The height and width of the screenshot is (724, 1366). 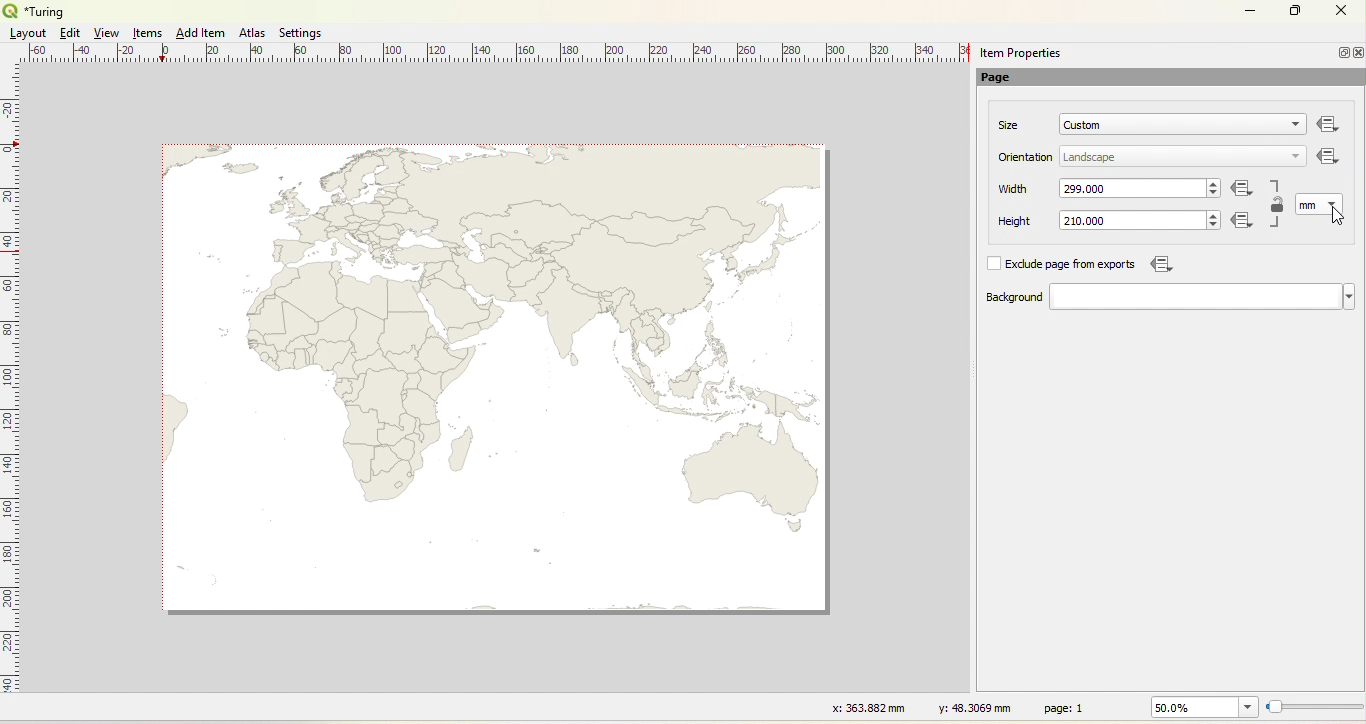 I want to click on Icon, so click(x=1246, y=222).